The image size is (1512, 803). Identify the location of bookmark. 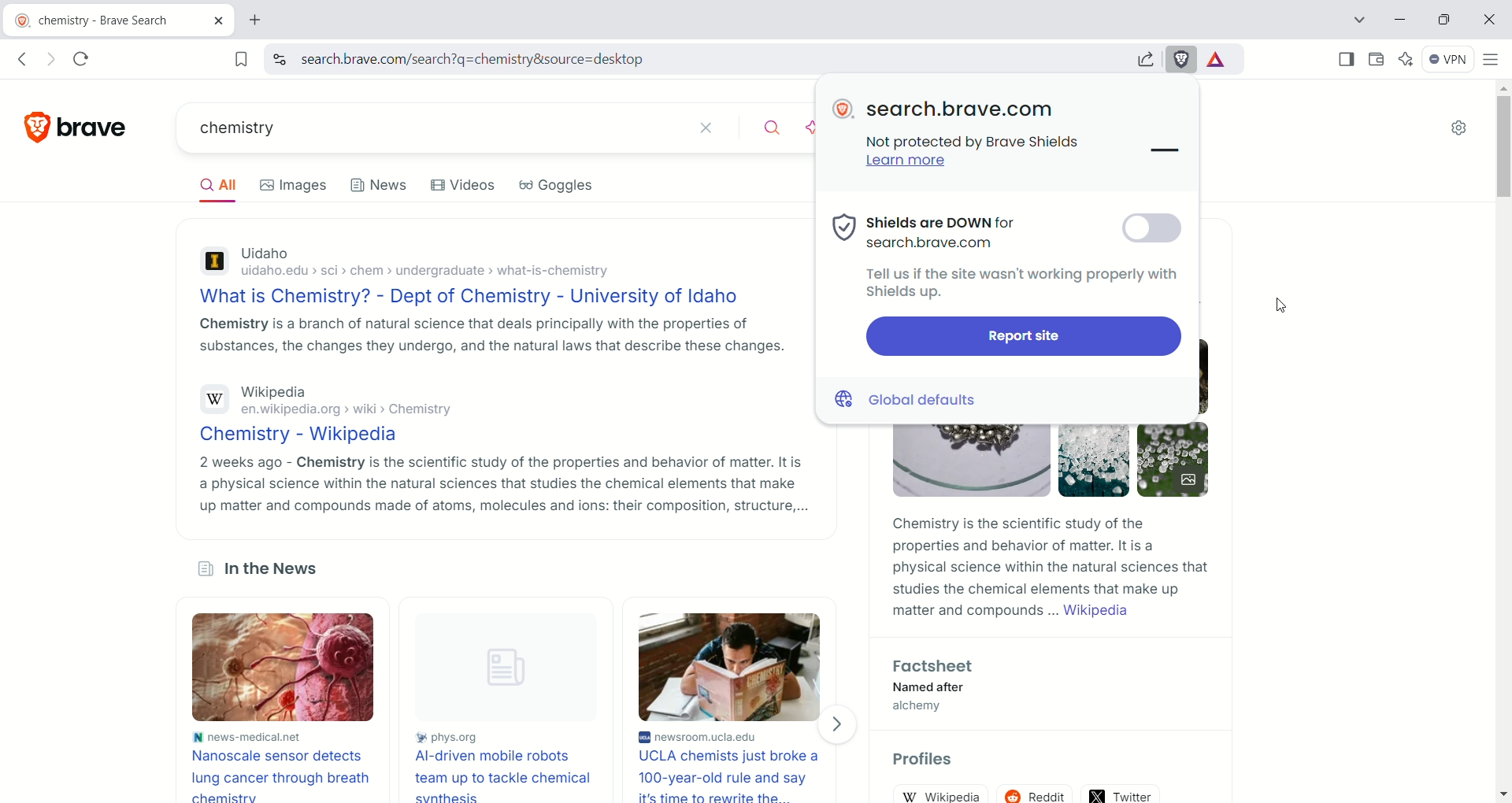
(237, 58).